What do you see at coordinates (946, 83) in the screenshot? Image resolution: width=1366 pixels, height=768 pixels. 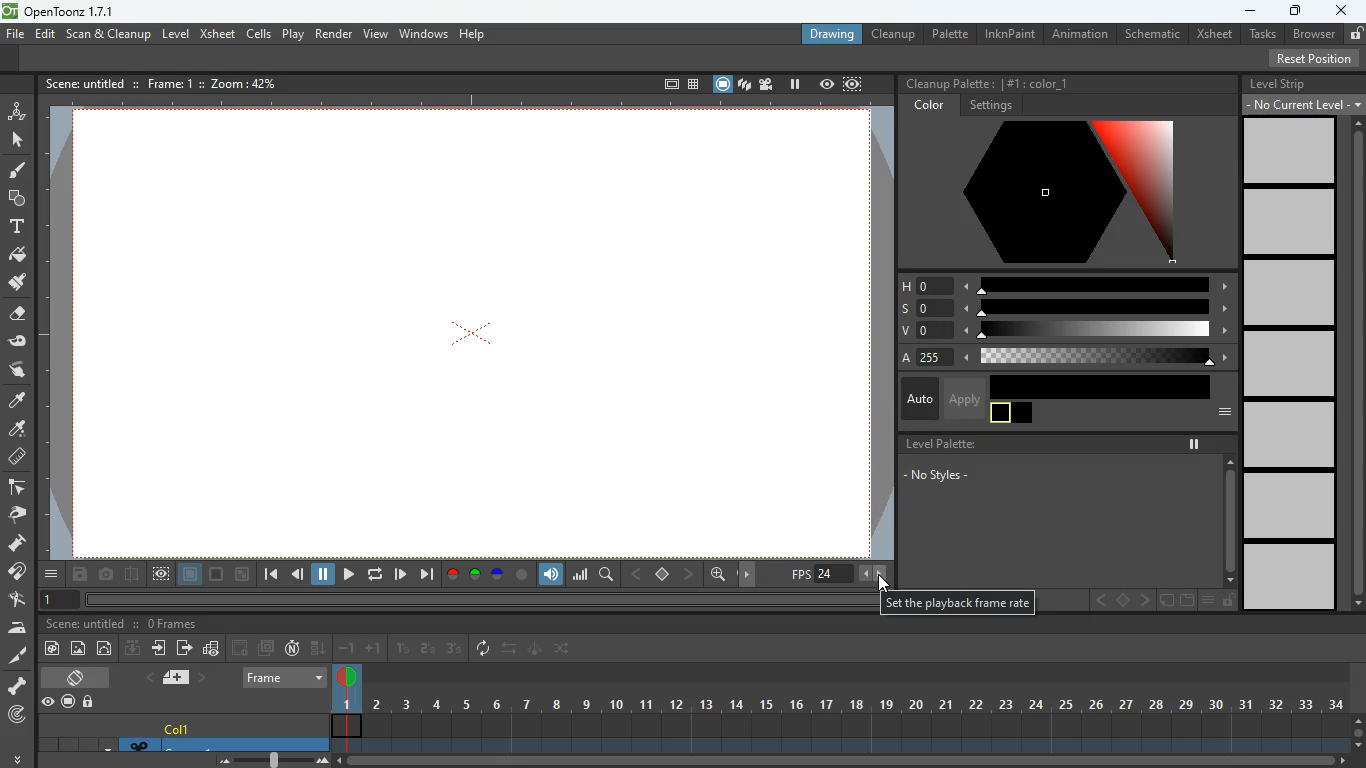 I see `cleanup palette` at bounding box center [946, 83].